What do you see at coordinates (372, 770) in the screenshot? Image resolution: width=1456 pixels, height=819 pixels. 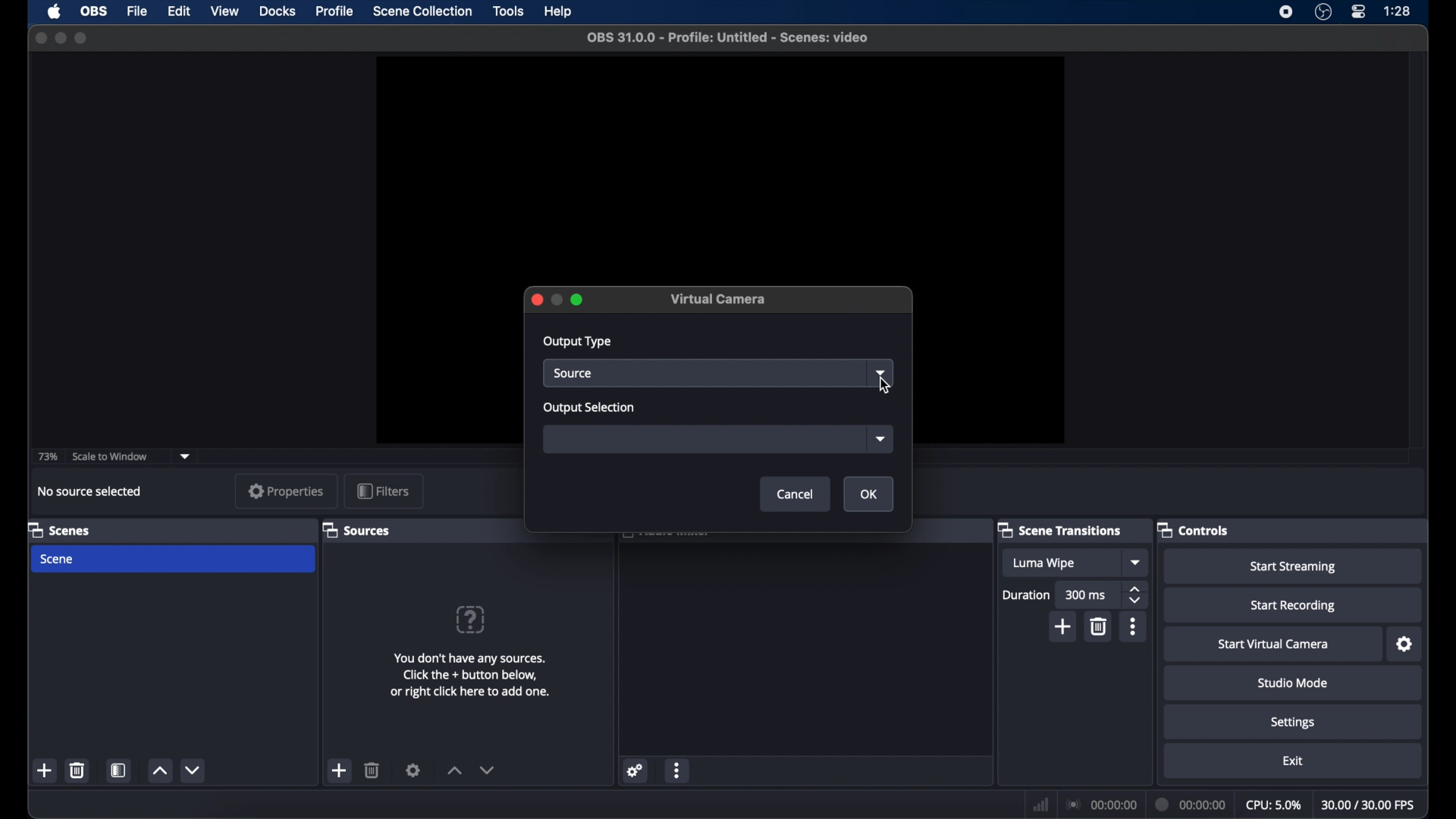 I see `delete` at bounding box center [372, 770].